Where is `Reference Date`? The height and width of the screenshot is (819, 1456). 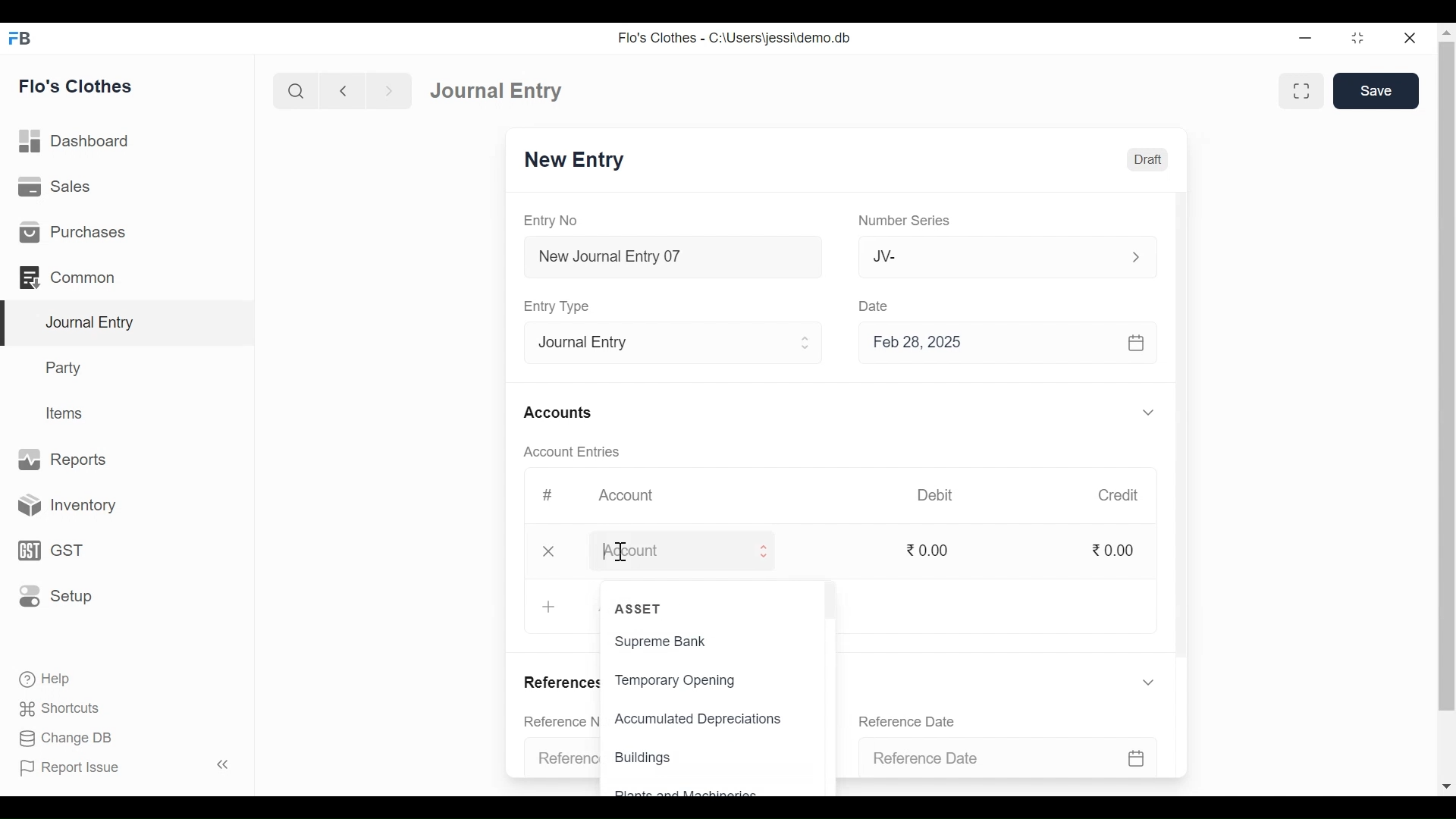
Reference Date is located at coordinates (916, 720).